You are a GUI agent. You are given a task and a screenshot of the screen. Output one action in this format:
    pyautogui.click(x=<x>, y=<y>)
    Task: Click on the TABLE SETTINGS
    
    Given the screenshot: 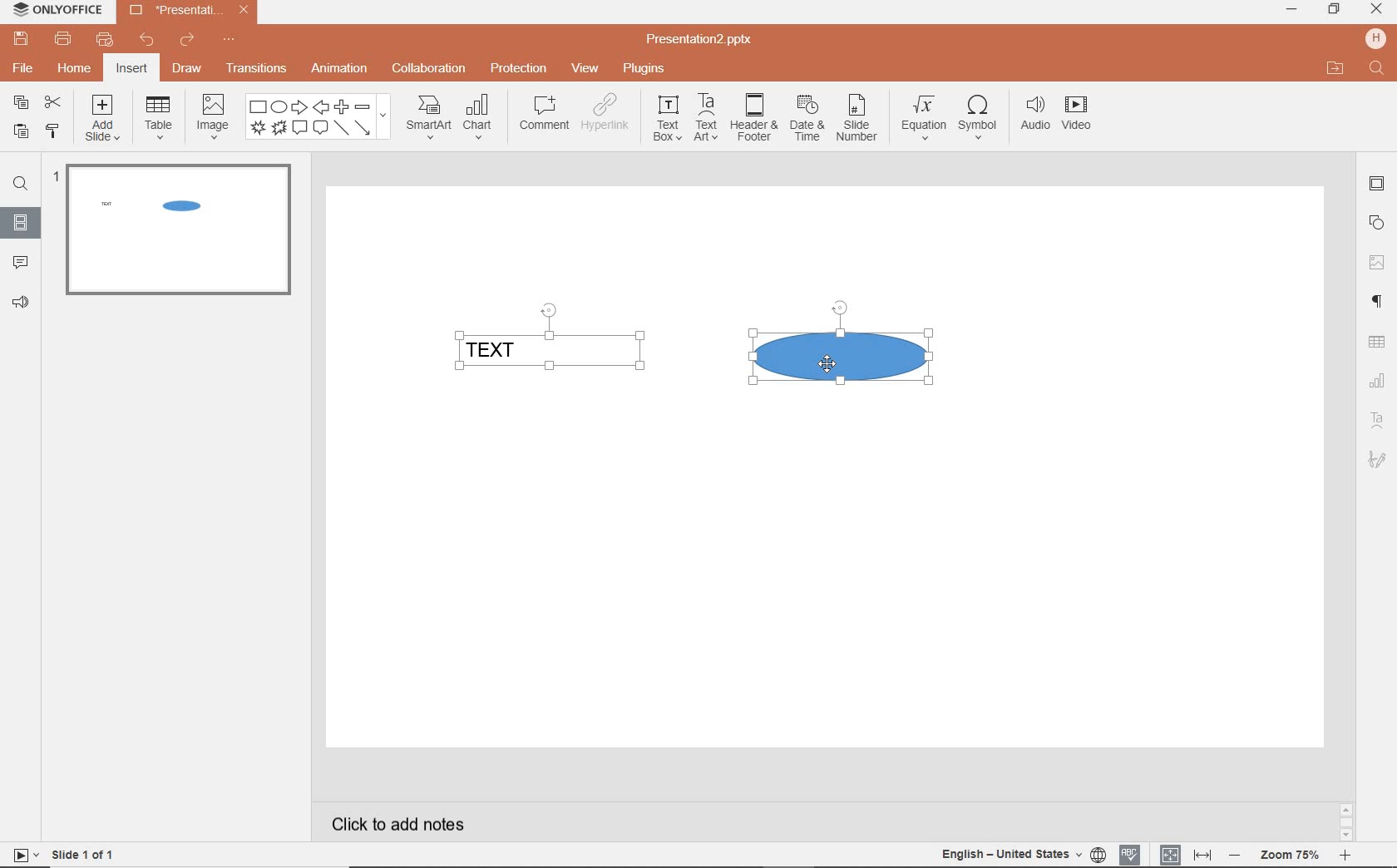 What is the action you would take?
    pyautogui.click(x=1377, y=343)
    